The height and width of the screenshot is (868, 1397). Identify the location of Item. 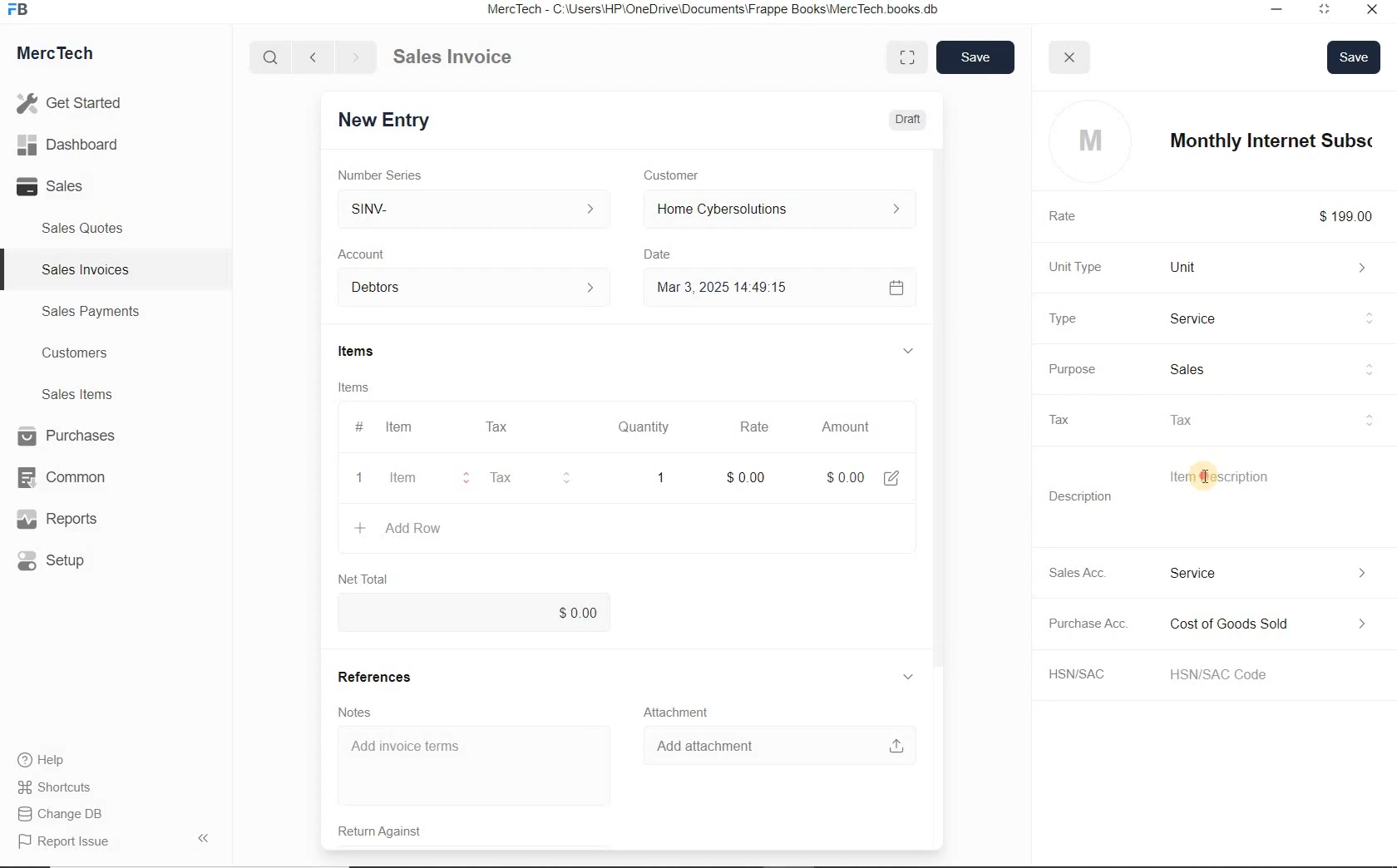
(401, 427).